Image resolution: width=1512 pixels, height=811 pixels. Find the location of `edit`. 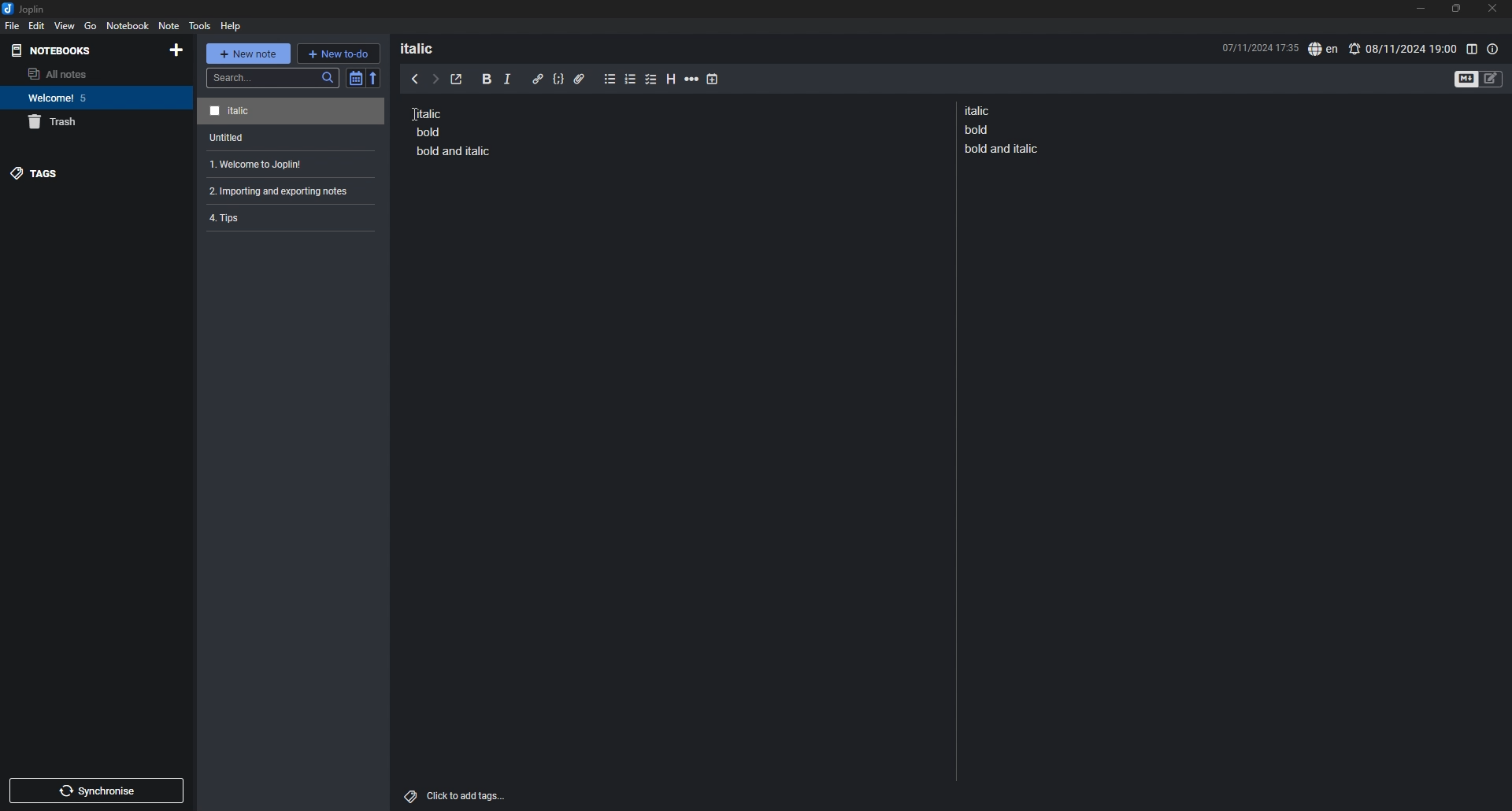

edit is located at coordinates (37, 25).